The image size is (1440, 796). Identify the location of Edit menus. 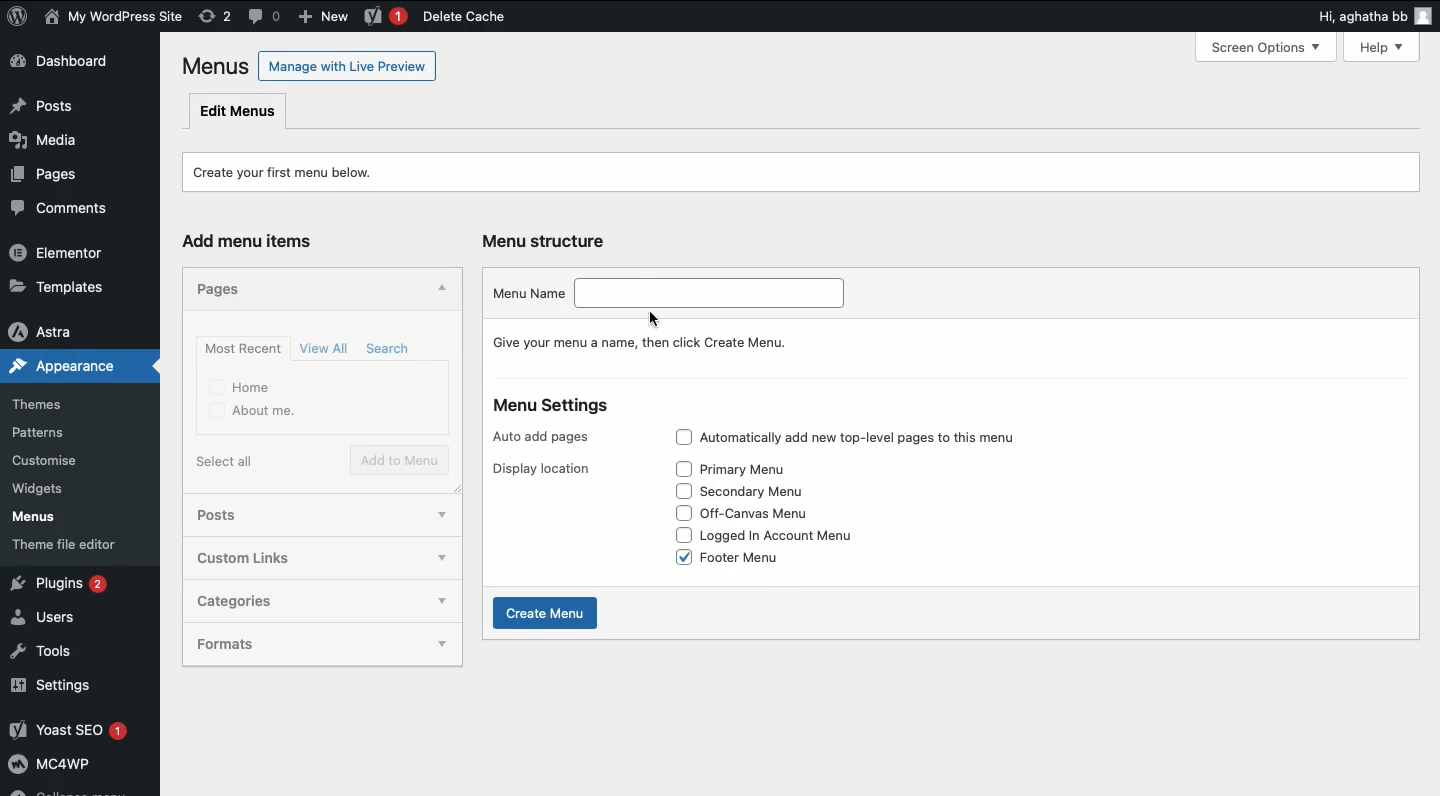
(238, 112).